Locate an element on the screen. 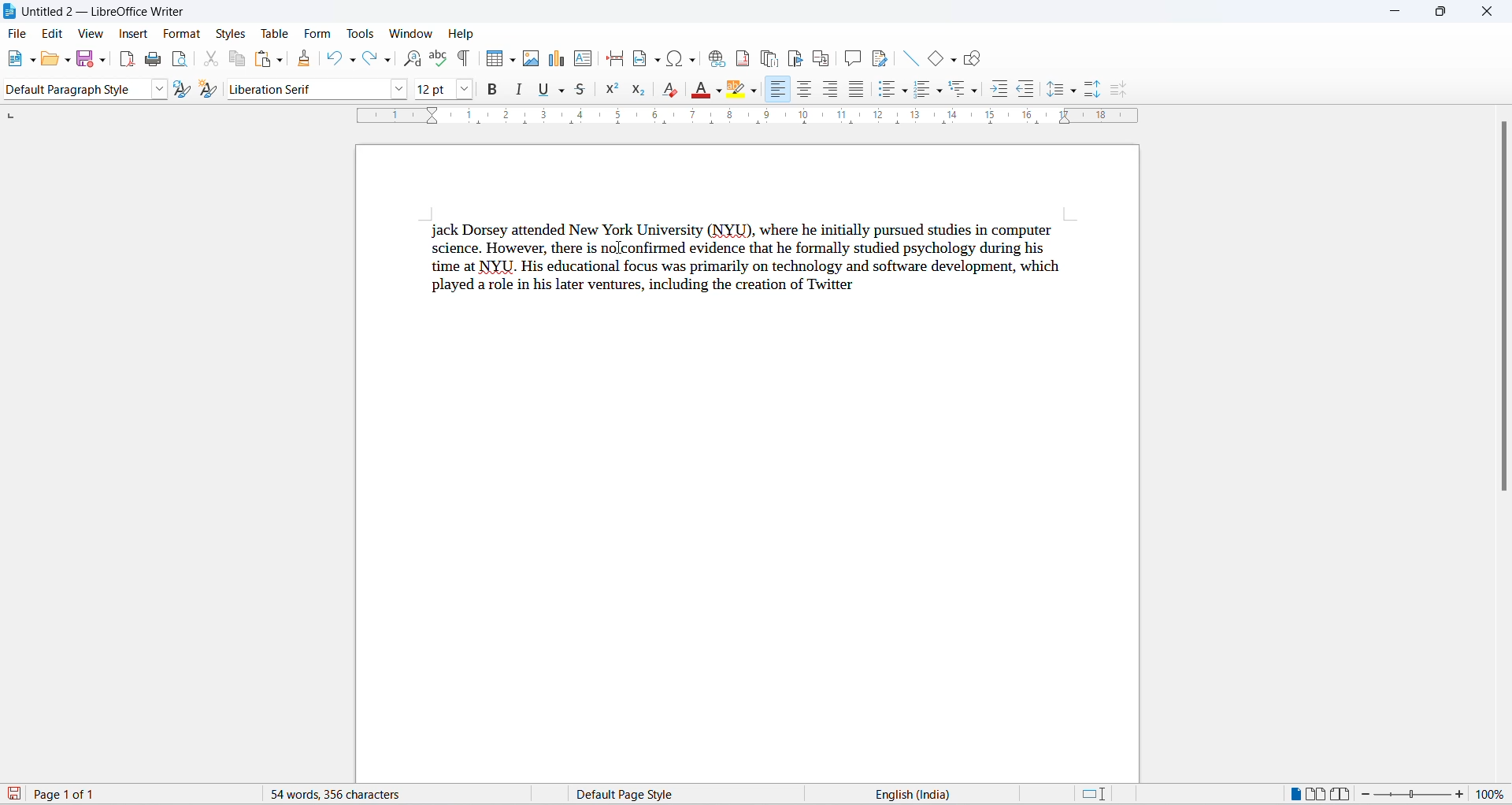 The width and height of the screenshot is (1512, 805). insert special character is located at coordinates (671, 58).